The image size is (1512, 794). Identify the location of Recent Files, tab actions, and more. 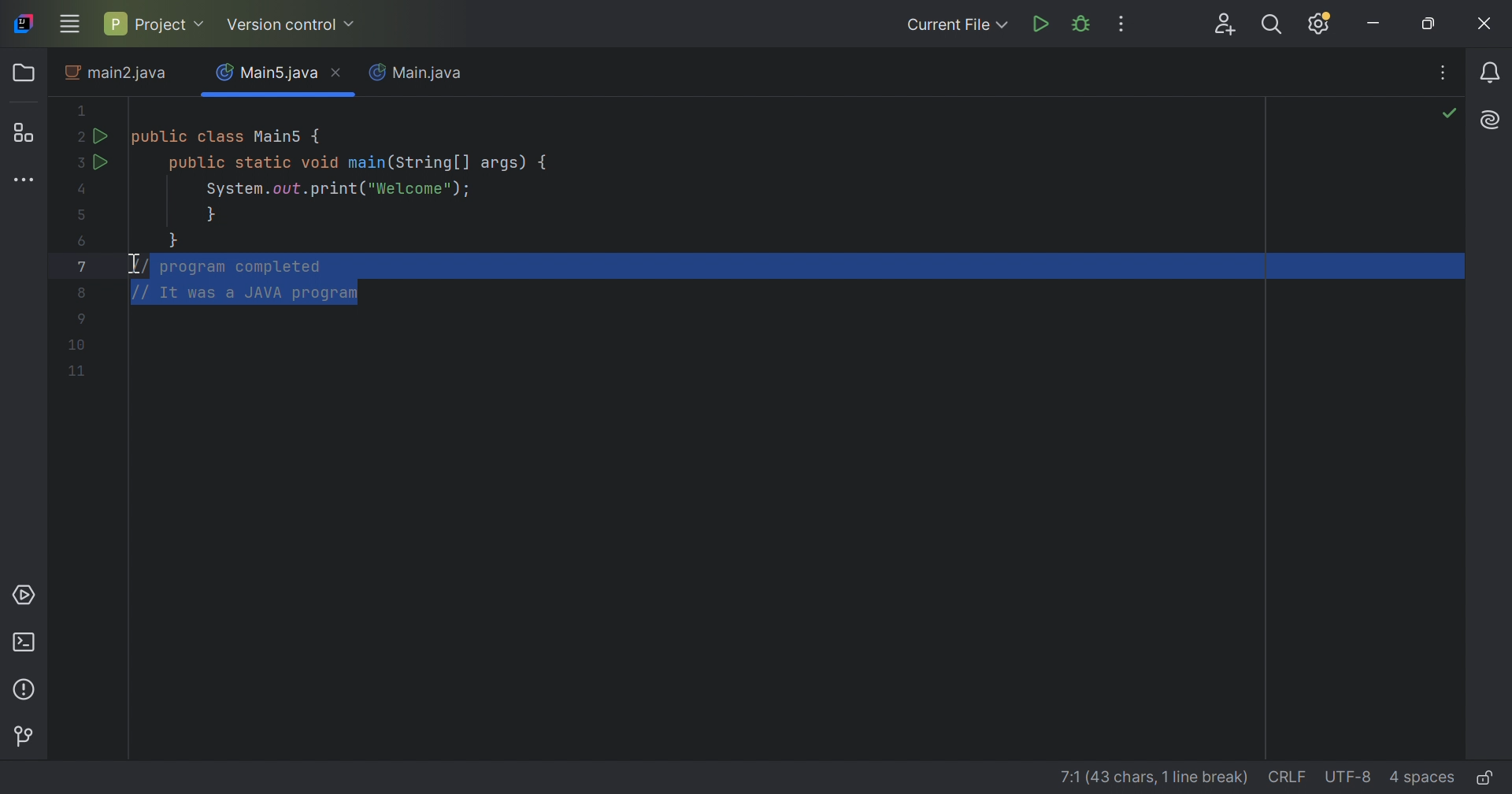
(1445, 72).